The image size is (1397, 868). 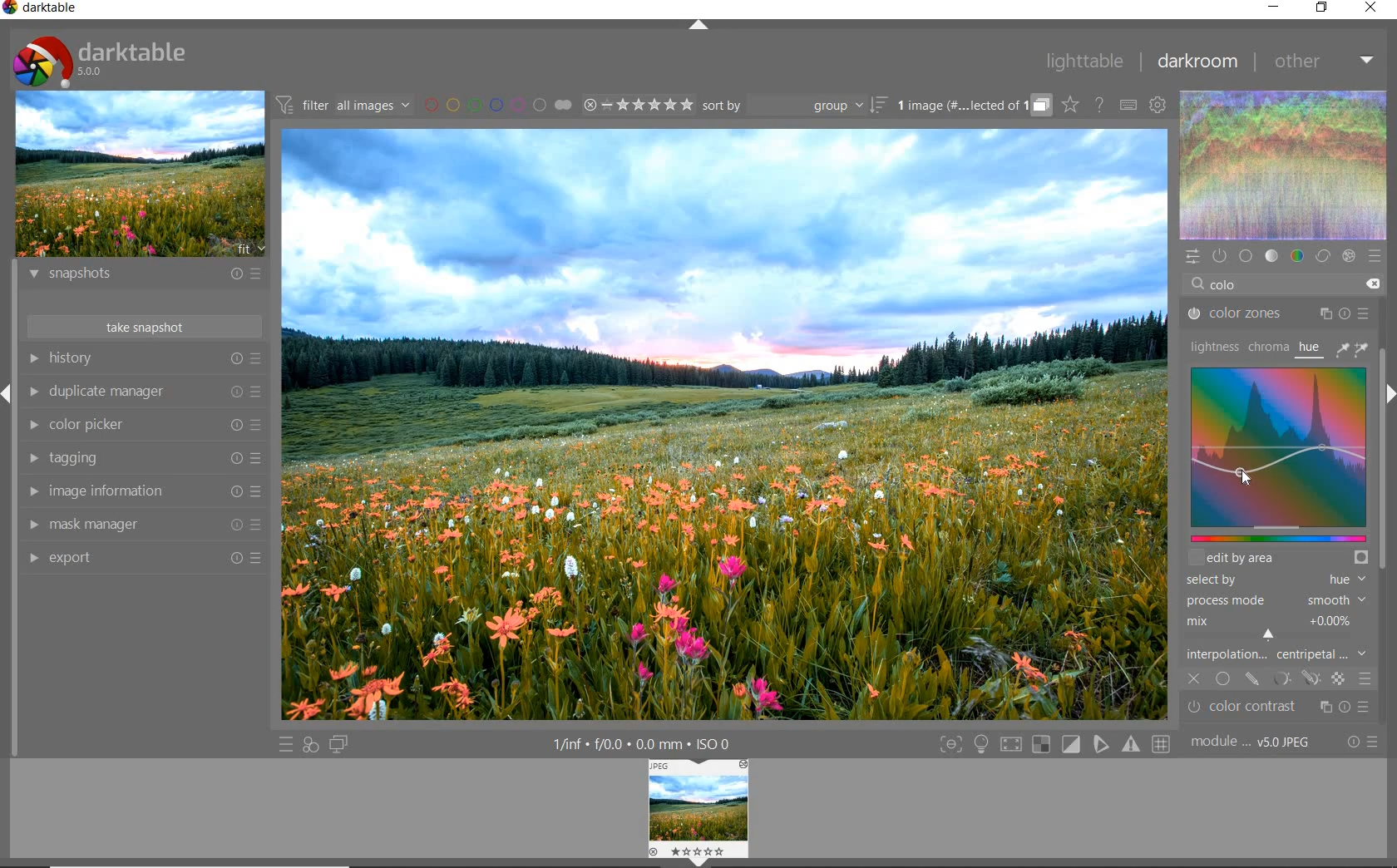 I want to click on color zones, so click(x=1279, y=316).